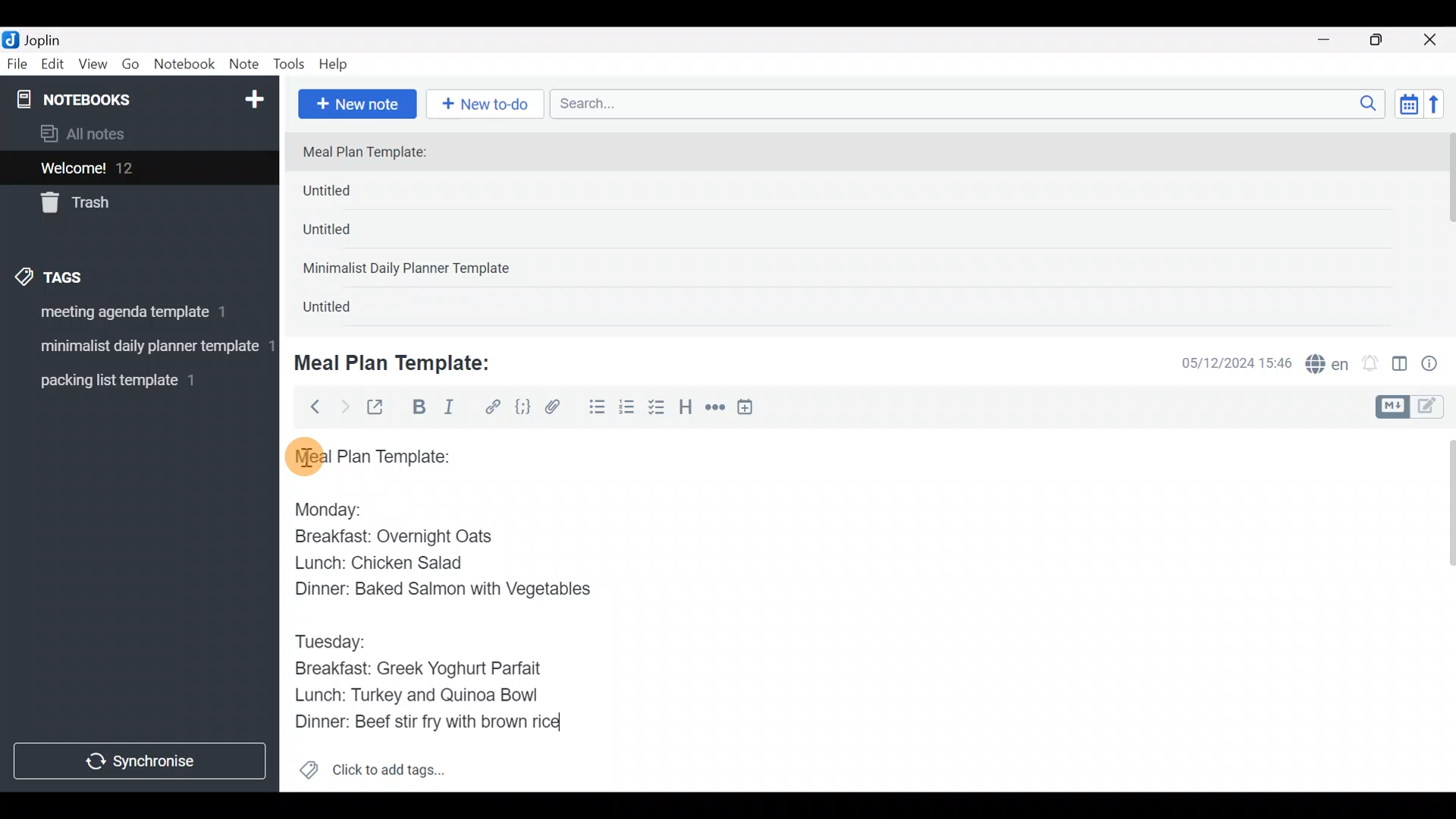  Describe the element at coordinates (367, 454) in the screenshot. I see `Meal plan template` at that location.